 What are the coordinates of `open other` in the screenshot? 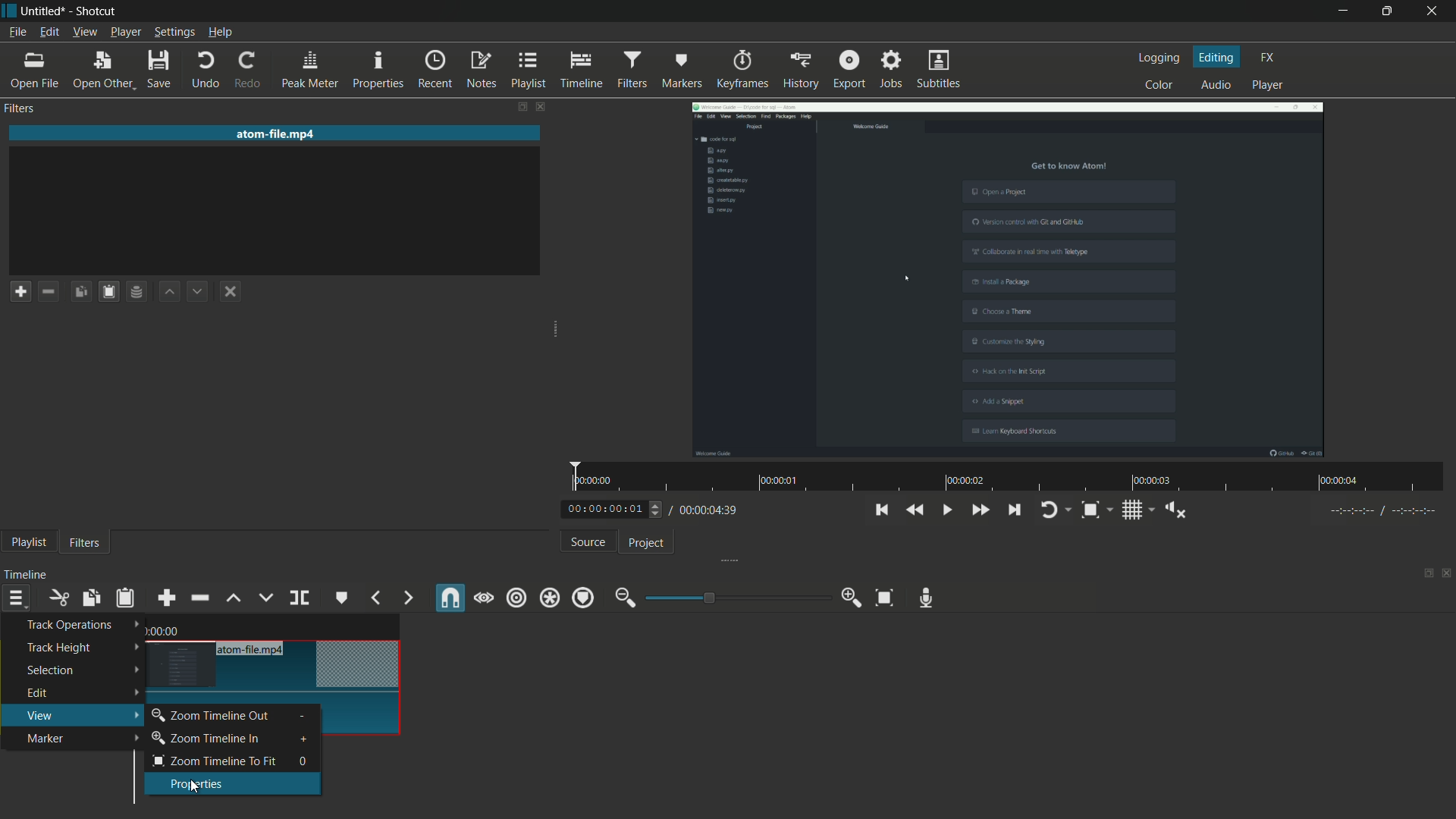 It's located at (101, 71).